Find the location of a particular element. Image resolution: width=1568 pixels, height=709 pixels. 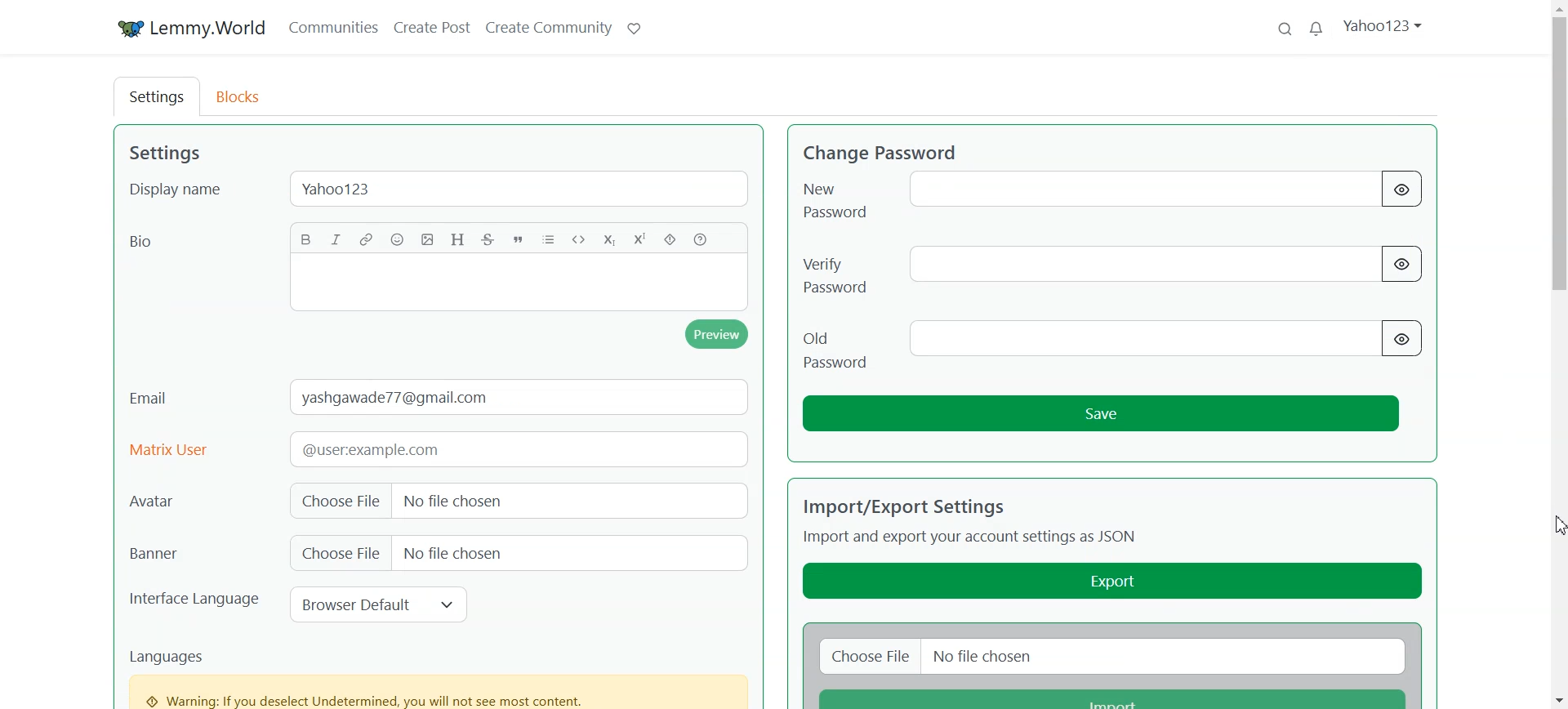

Email is located at coordinates (154, 398).